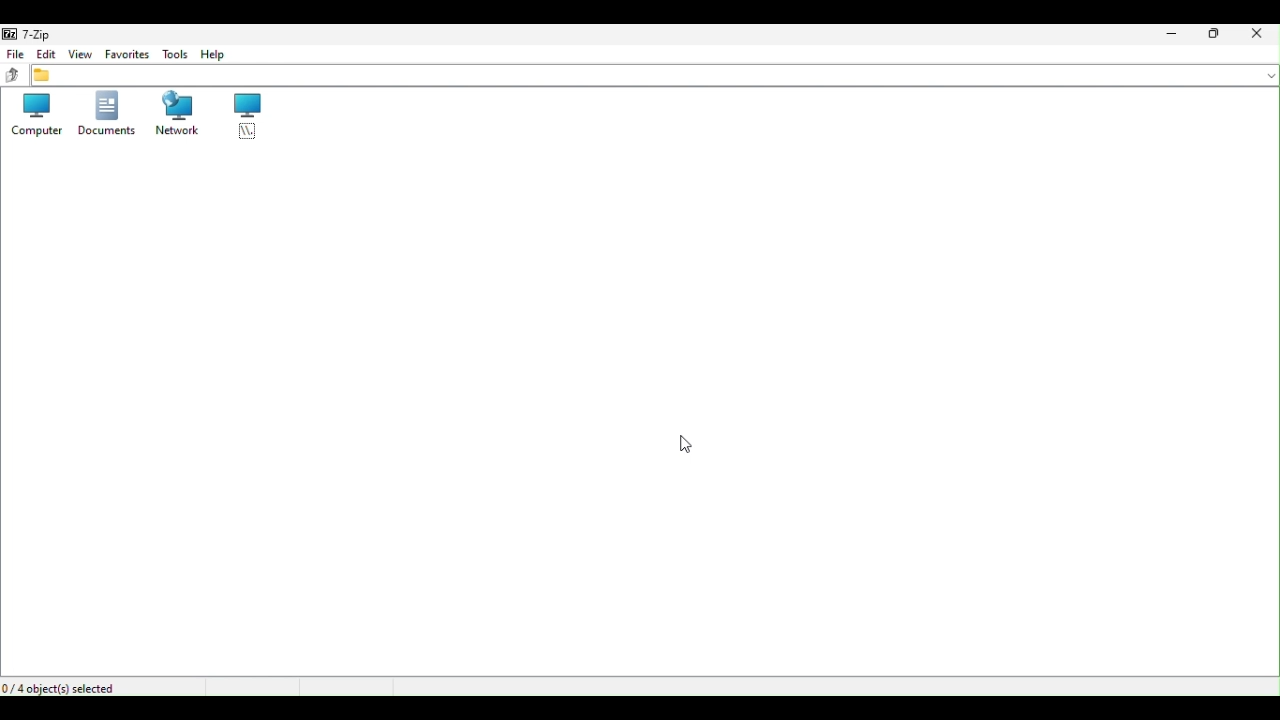  I want to click on Documents, so click(108, 113).